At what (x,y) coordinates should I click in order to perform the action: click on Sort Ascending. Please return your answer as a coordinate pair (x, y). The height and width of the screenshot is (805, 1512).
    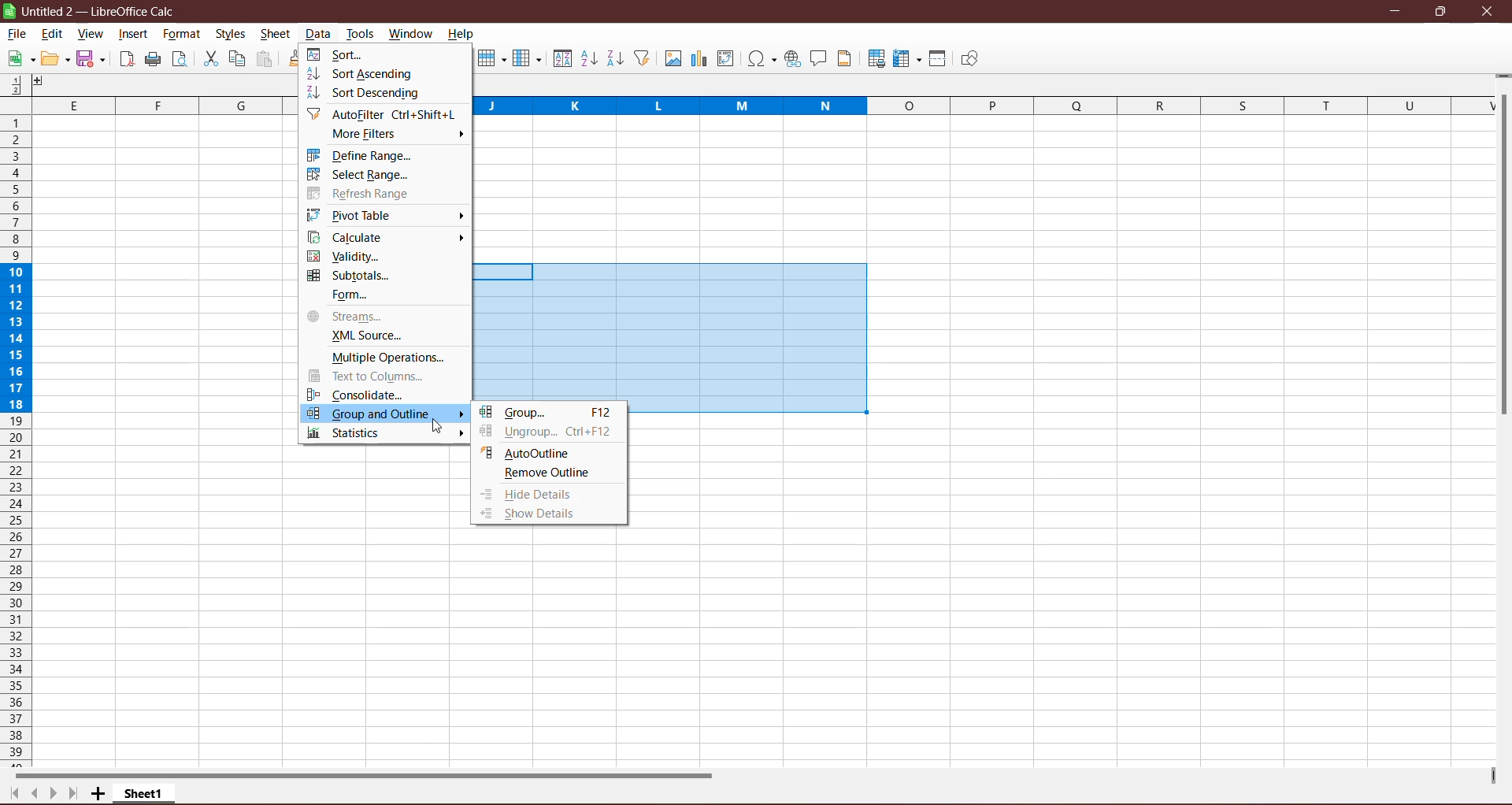
    Looking at the image, I should click on (365, 73).